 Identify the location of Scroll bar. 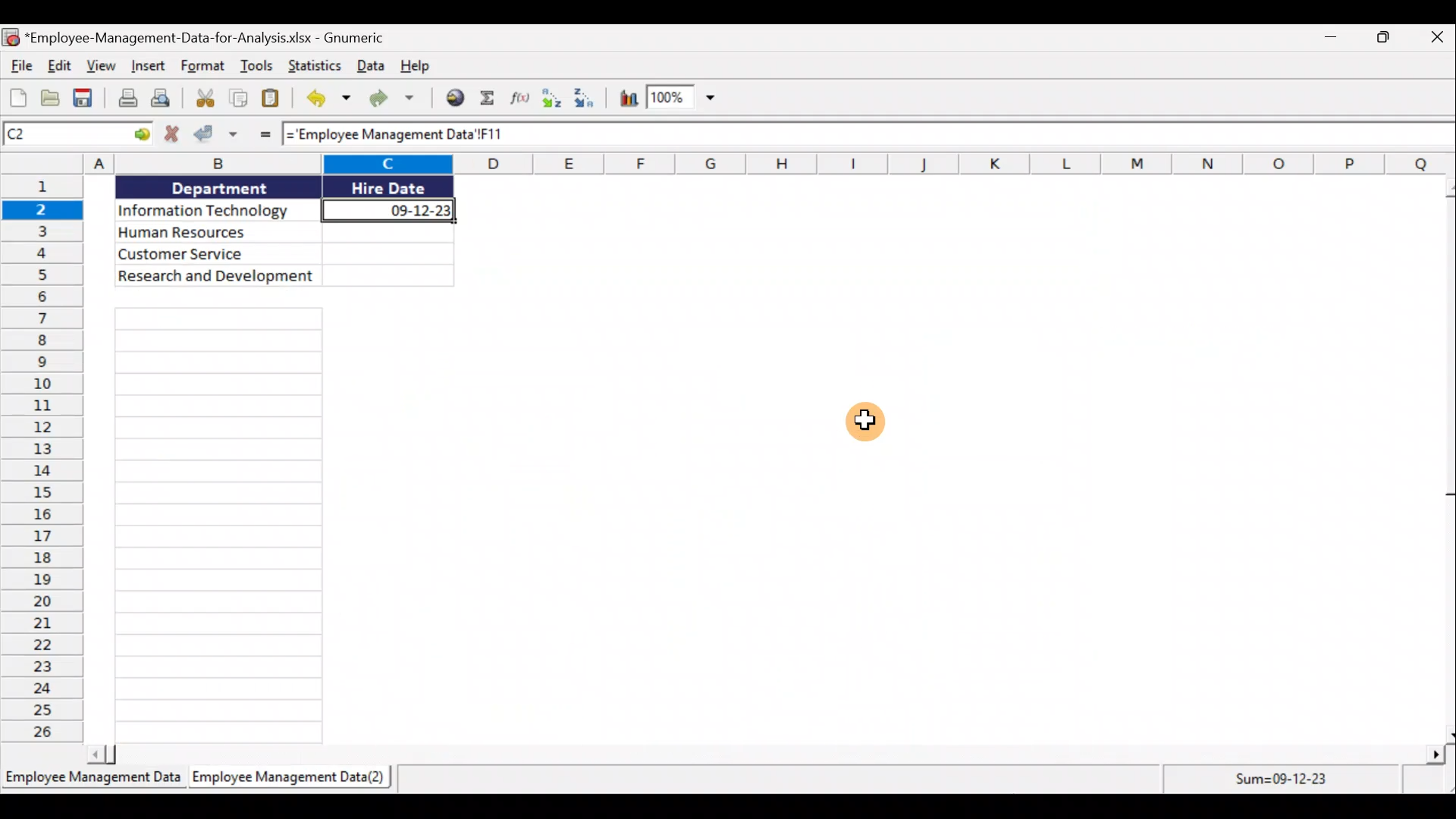
(763, 755).